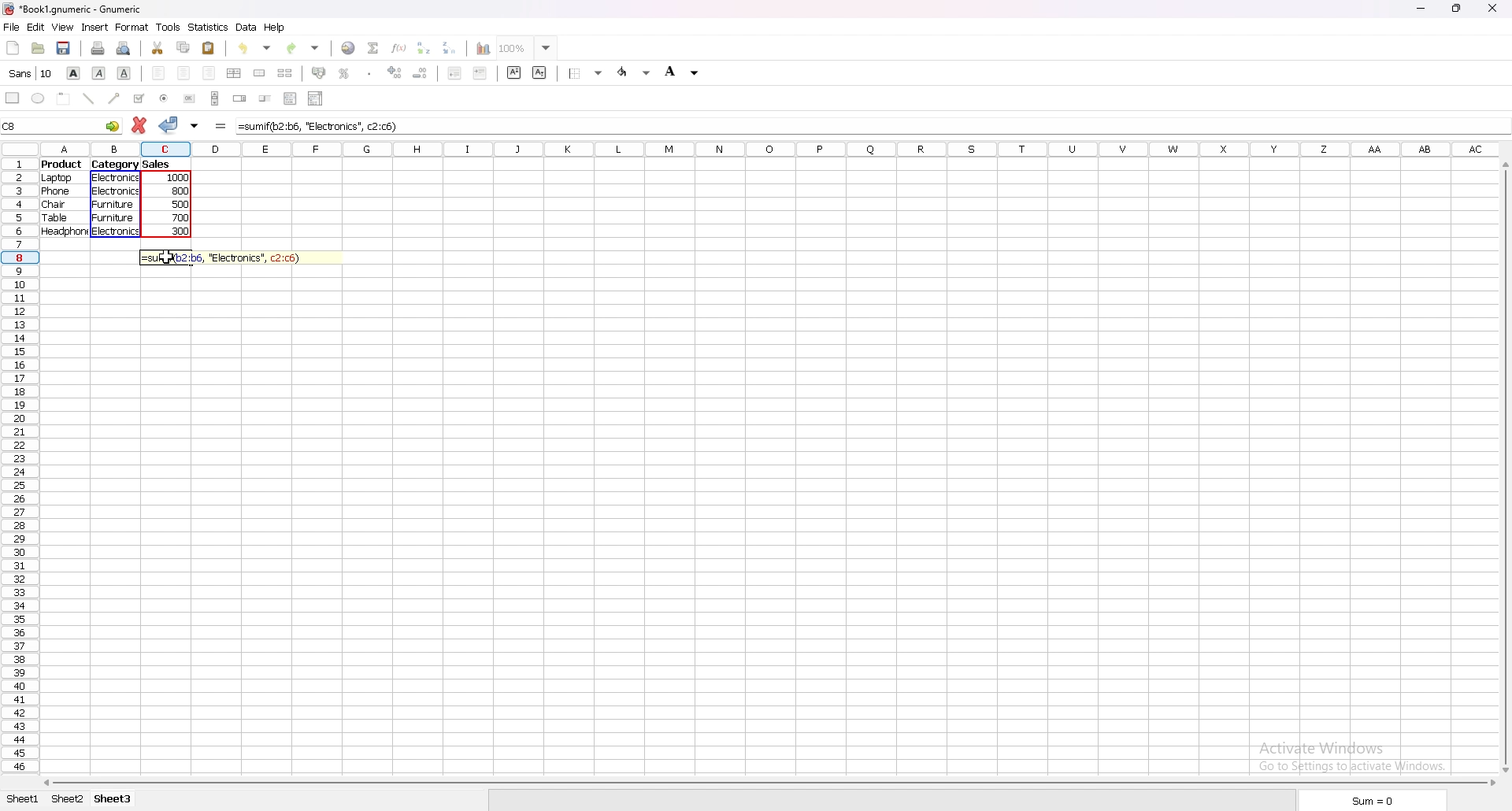 This screenshot has width=1512, height=811. I want to click on right align, so click(209, 73).